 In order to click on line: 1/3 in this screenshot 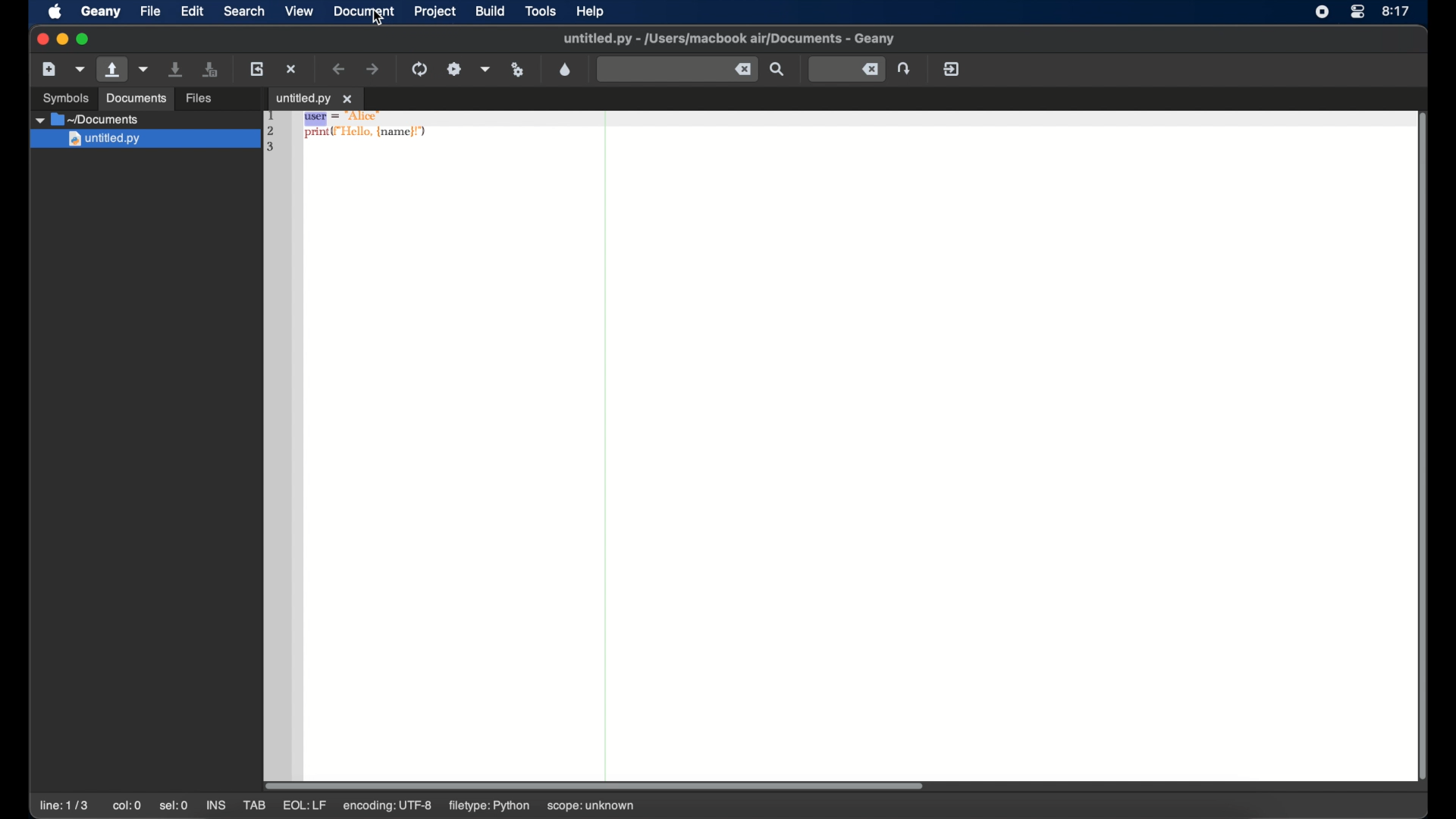, I will do `click(64, 805)`.